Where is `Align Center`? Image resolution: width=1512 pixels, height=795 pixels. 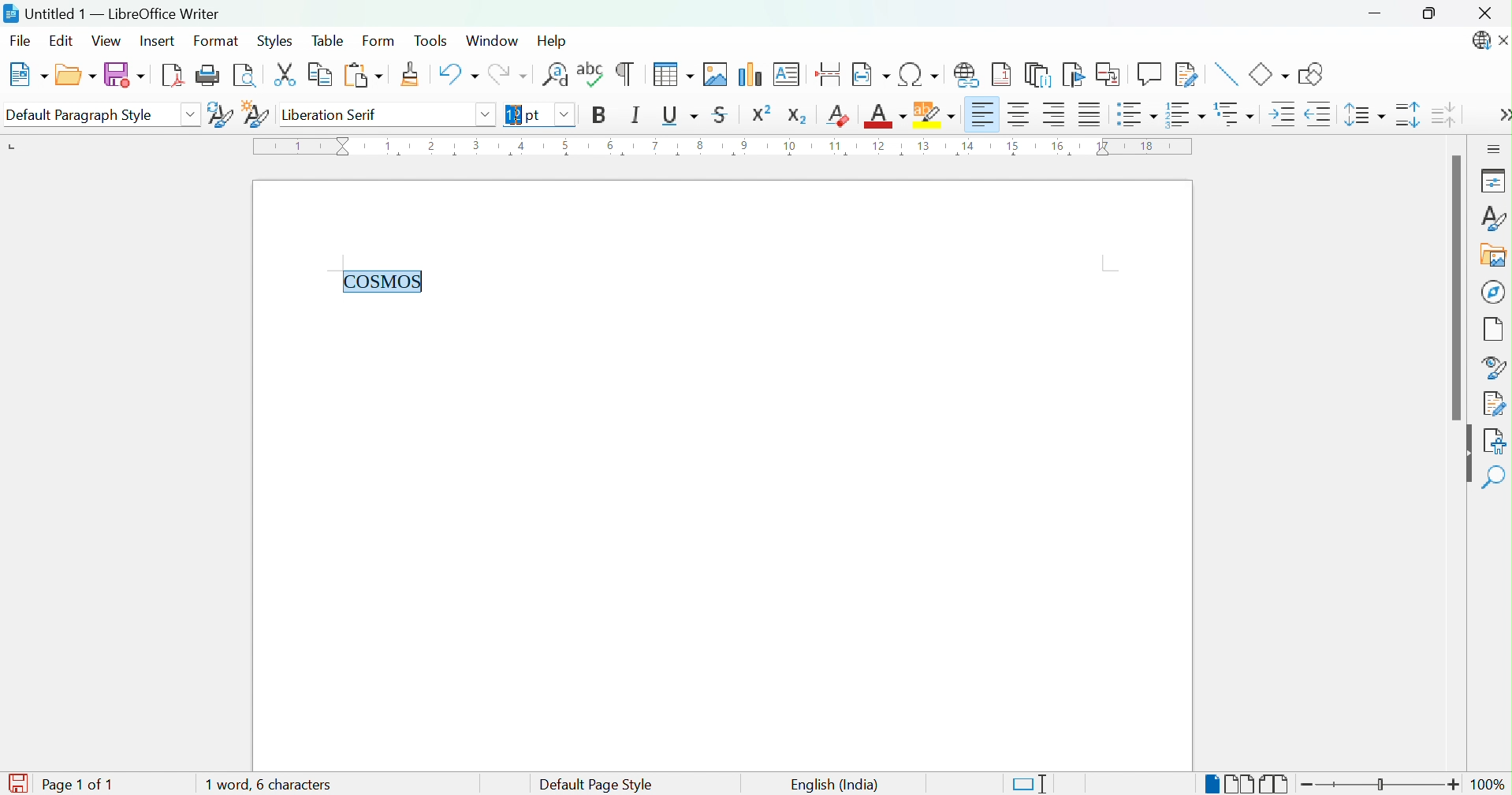 Align Center is located at coordinates (1020, 114).